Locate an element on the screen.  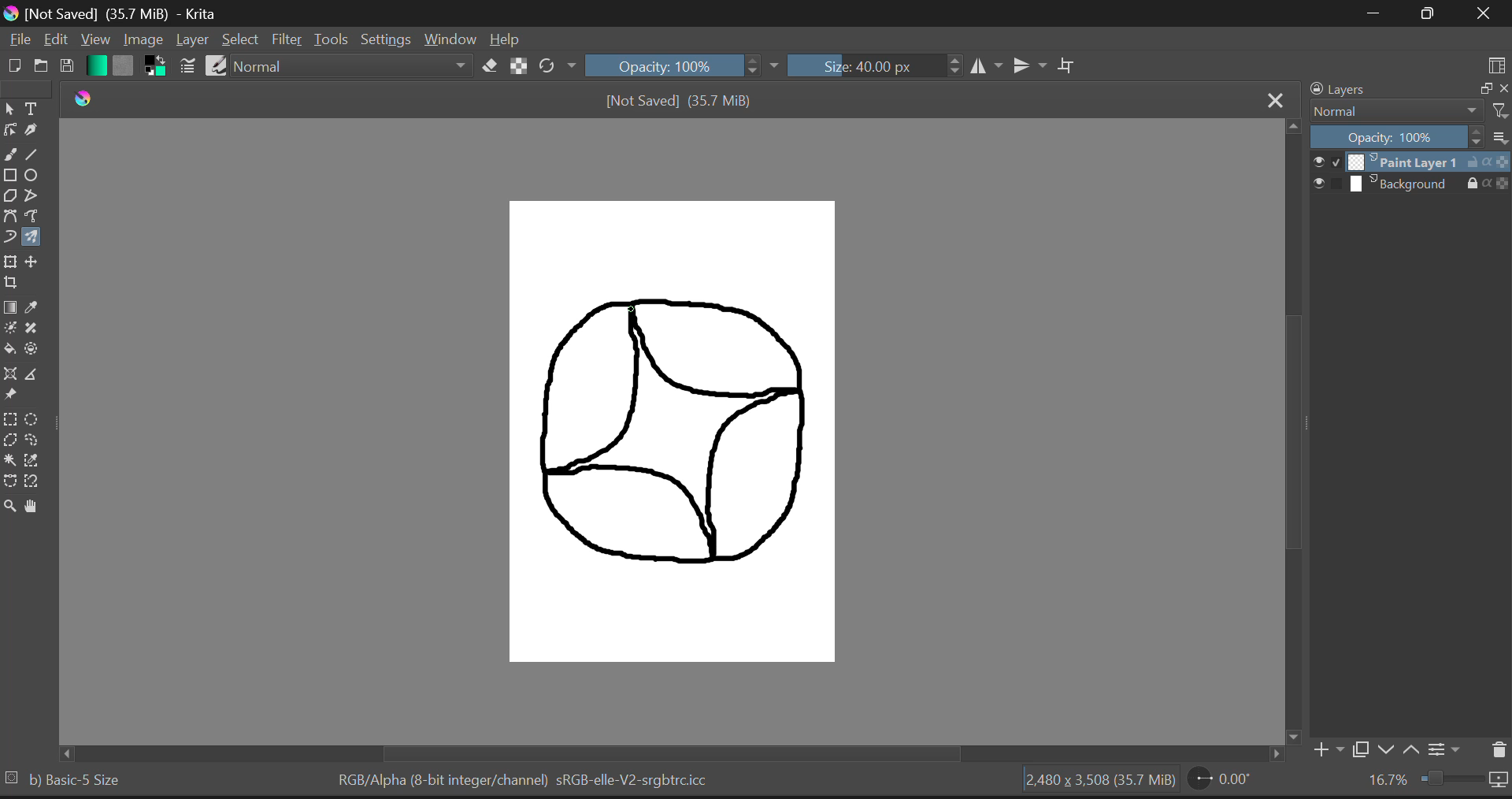
Polygons is located at coordinates (9, 195).